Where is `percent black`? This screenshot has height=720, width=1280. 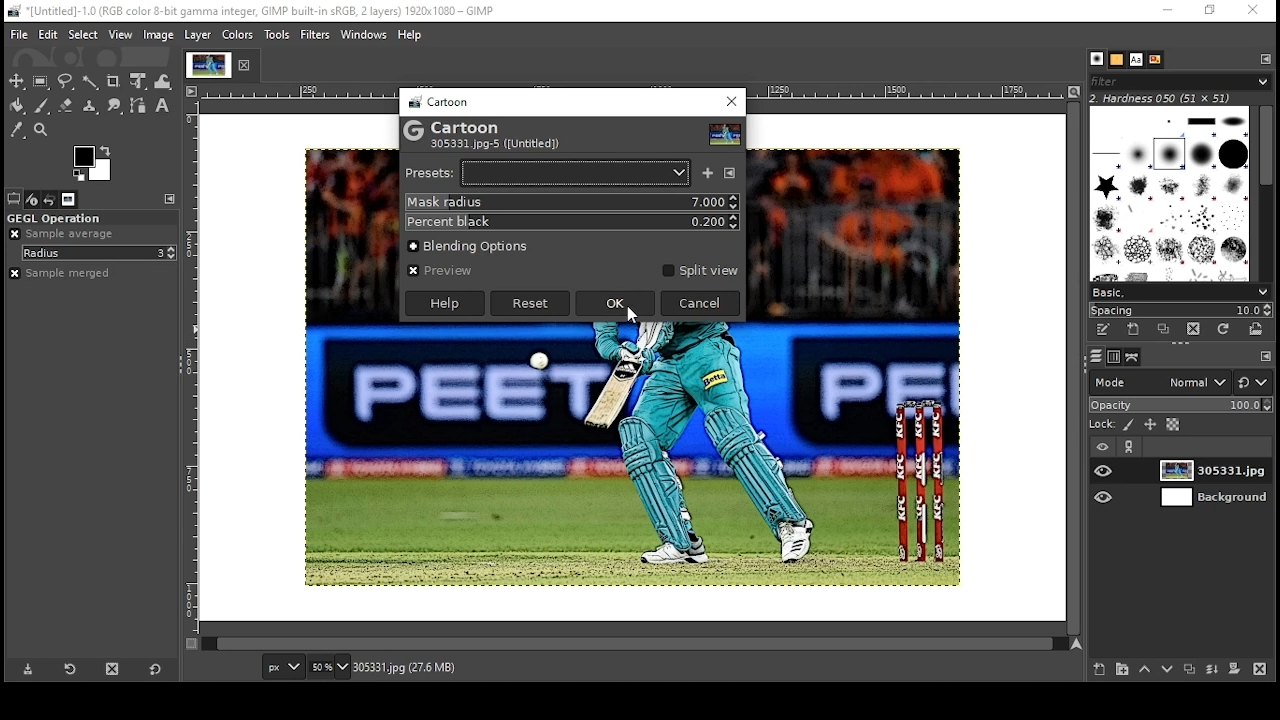
percent black is located at coordinates (573, 221).